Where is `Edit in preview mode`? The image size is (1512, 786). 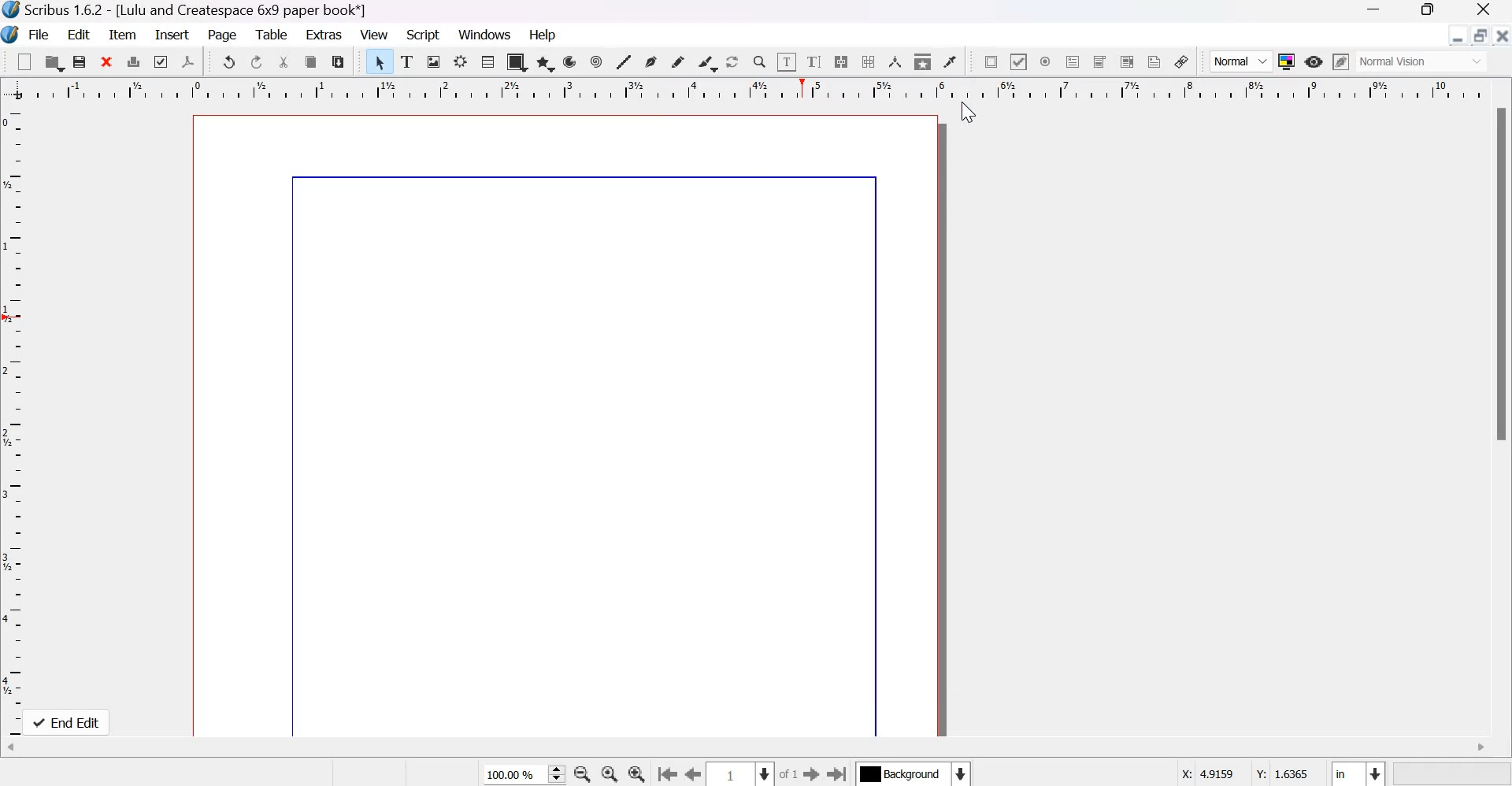
Edit in preview mode is located at coordinates (1340, 61).